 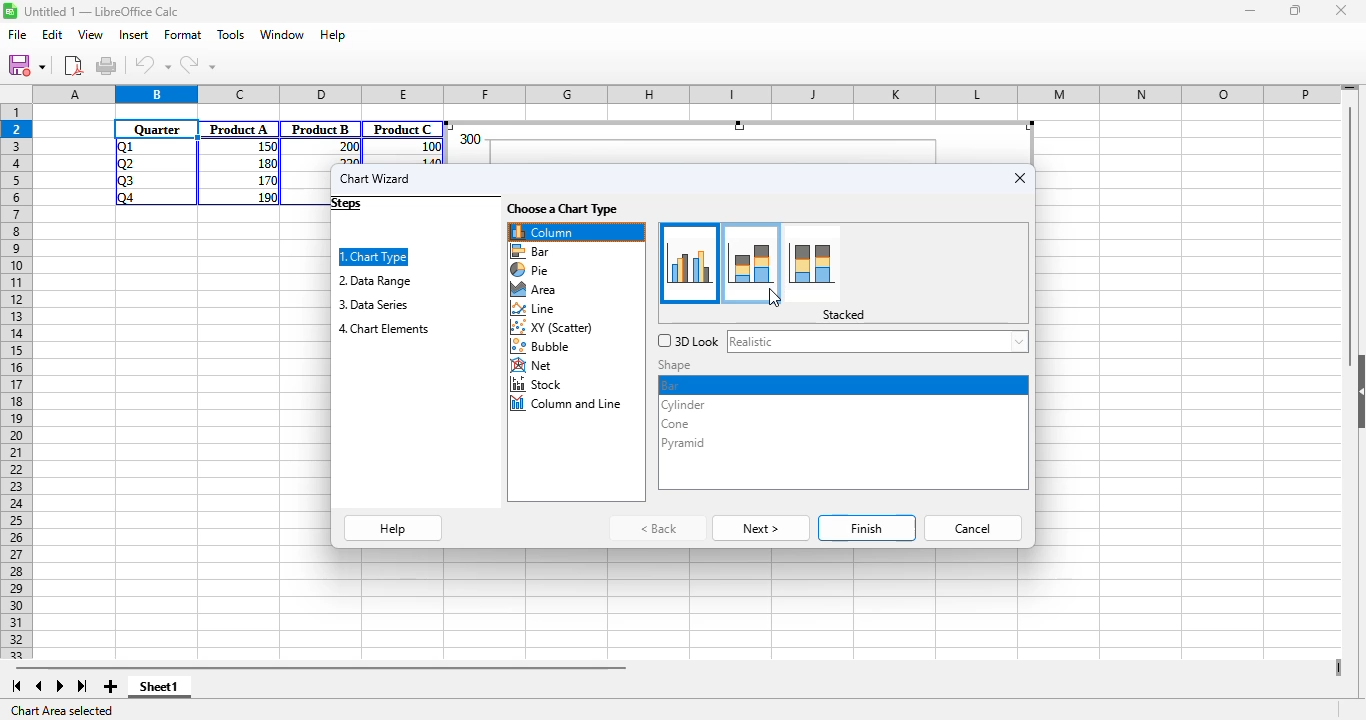 I want to click on realistic, so click(x=877, y=341).